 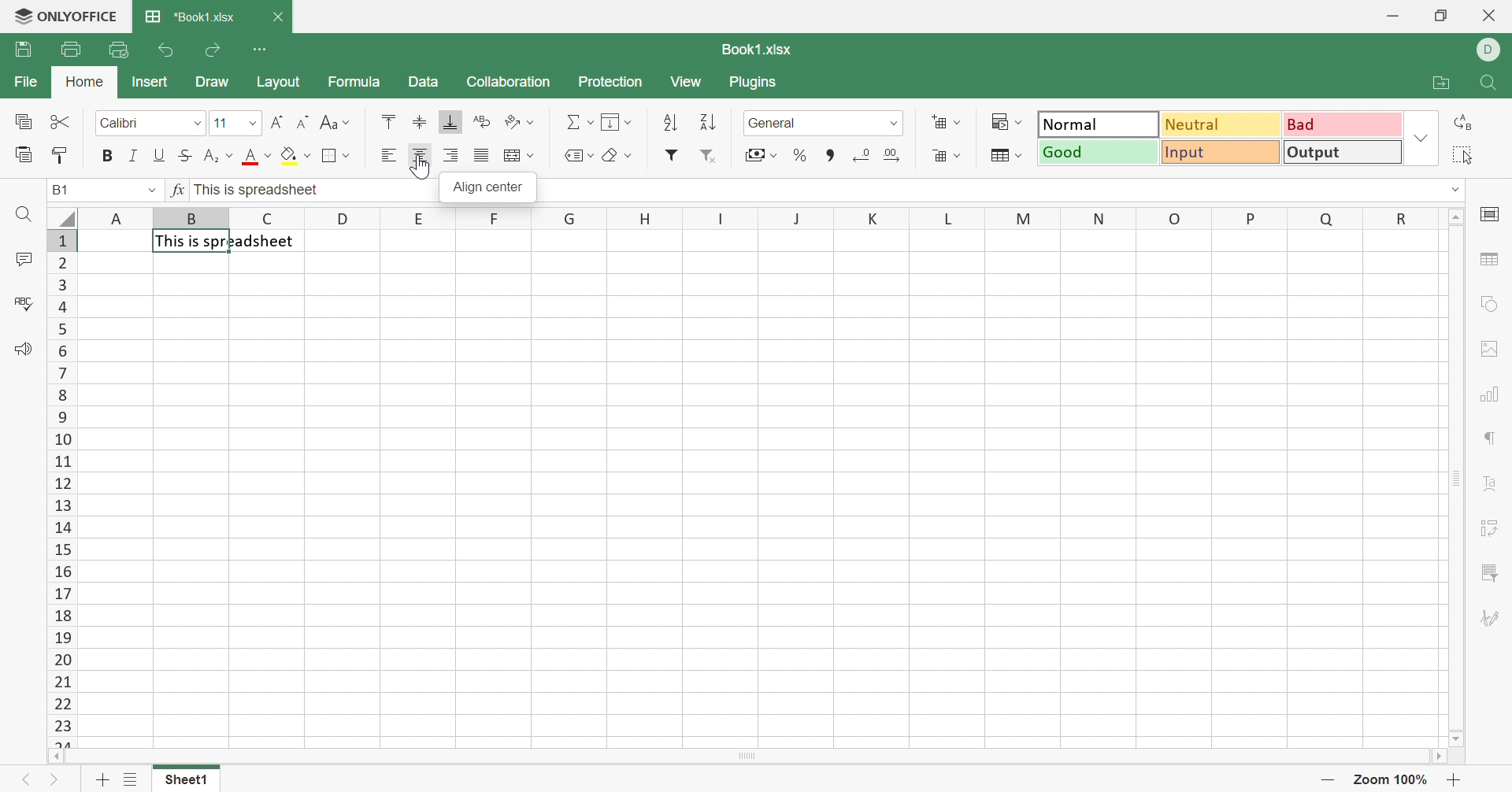 What do you see at coordinates (262, 47) in the screenshot?
I see `Customize Quick Access Toolbar` at bounding box center [262, 47].